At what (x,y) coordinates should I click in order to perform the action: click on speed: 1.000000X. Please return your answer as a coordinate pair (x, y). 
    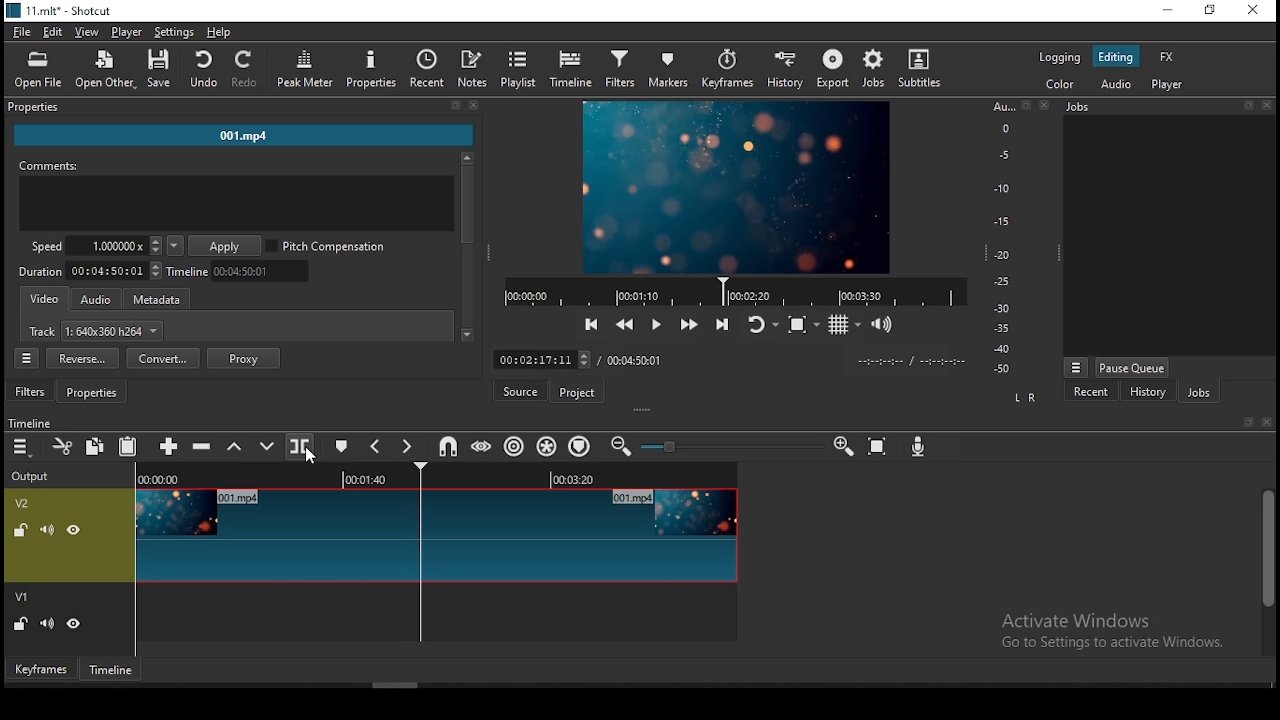
    Looking at the image, I should click on (90, 246).